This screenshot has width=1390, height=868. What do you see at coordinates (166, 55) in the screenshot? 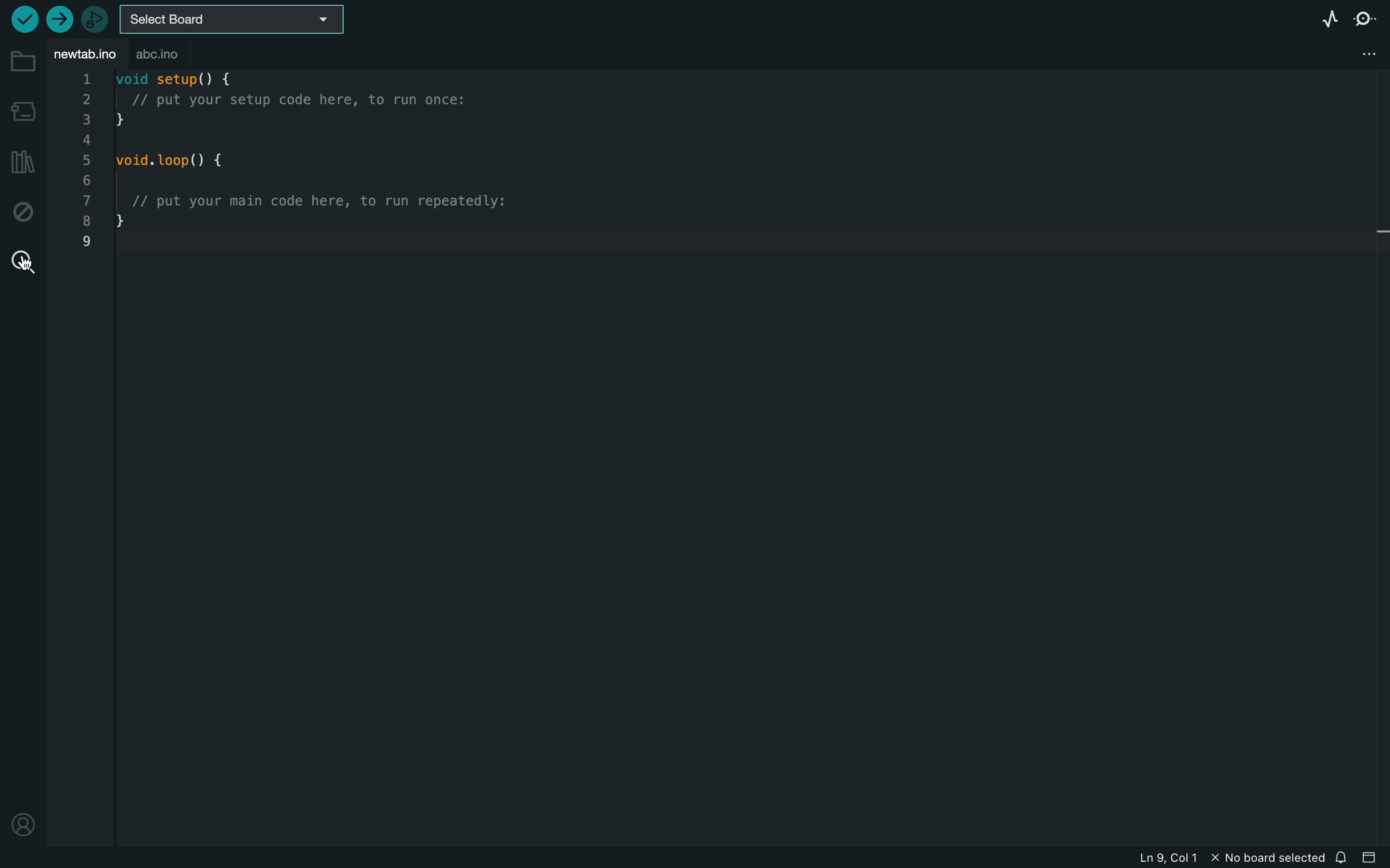
I see `abc` at bounding box center [166, 55].